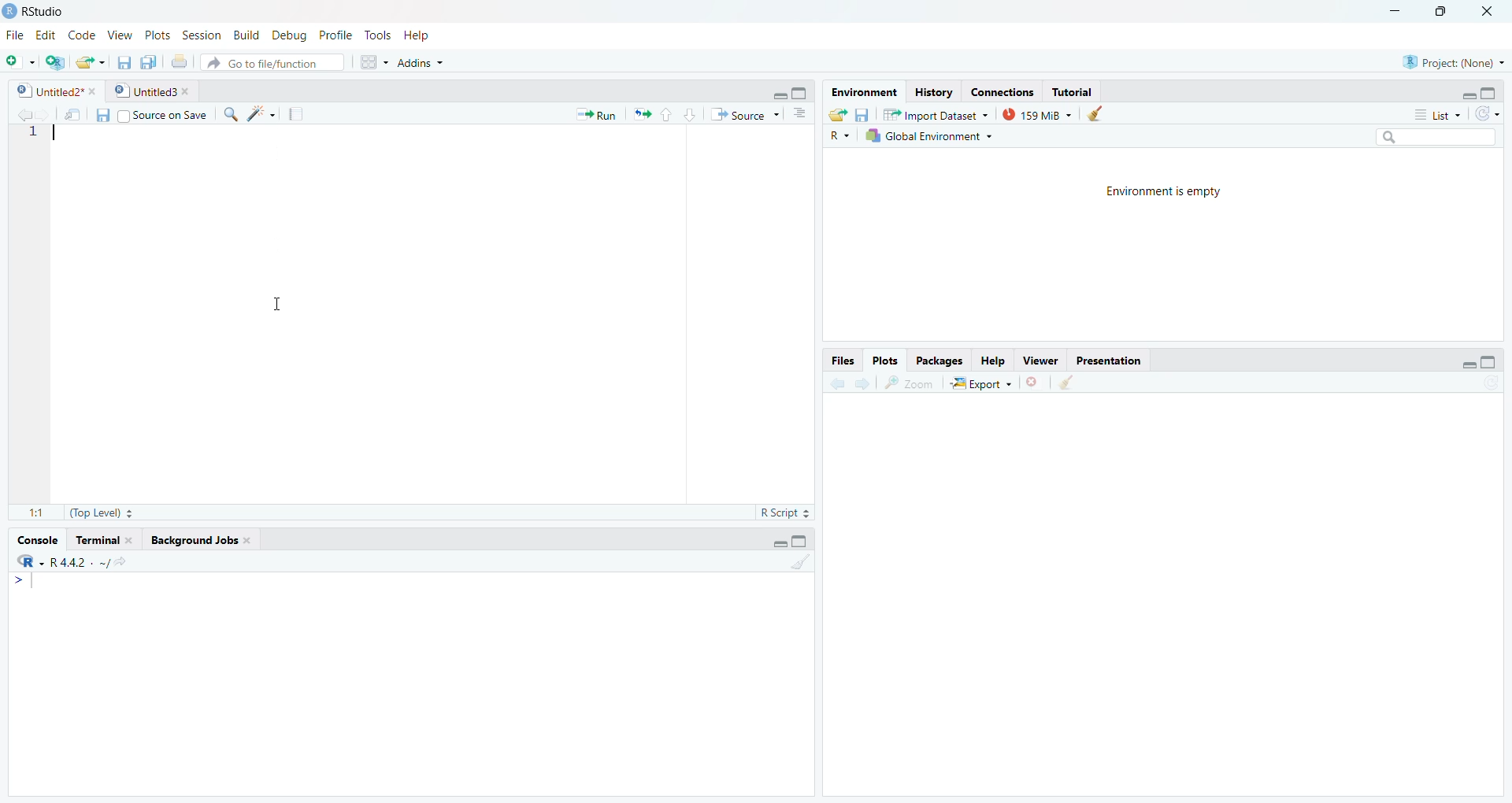 The width and height of the screenshot is (1512, 803). Describe the element at coordinates (102, 114) in the screenshot. I see `Save` at that location.